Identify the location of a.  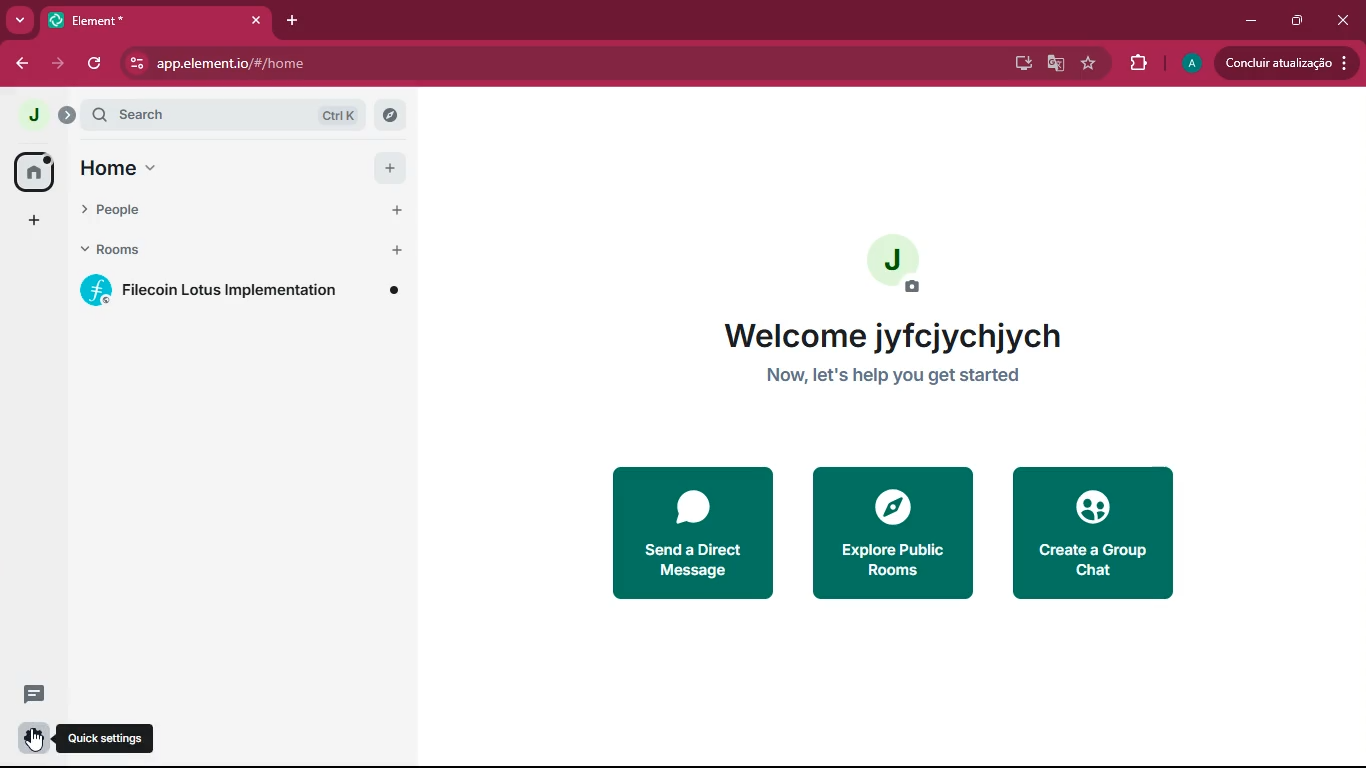
(1191, 63).